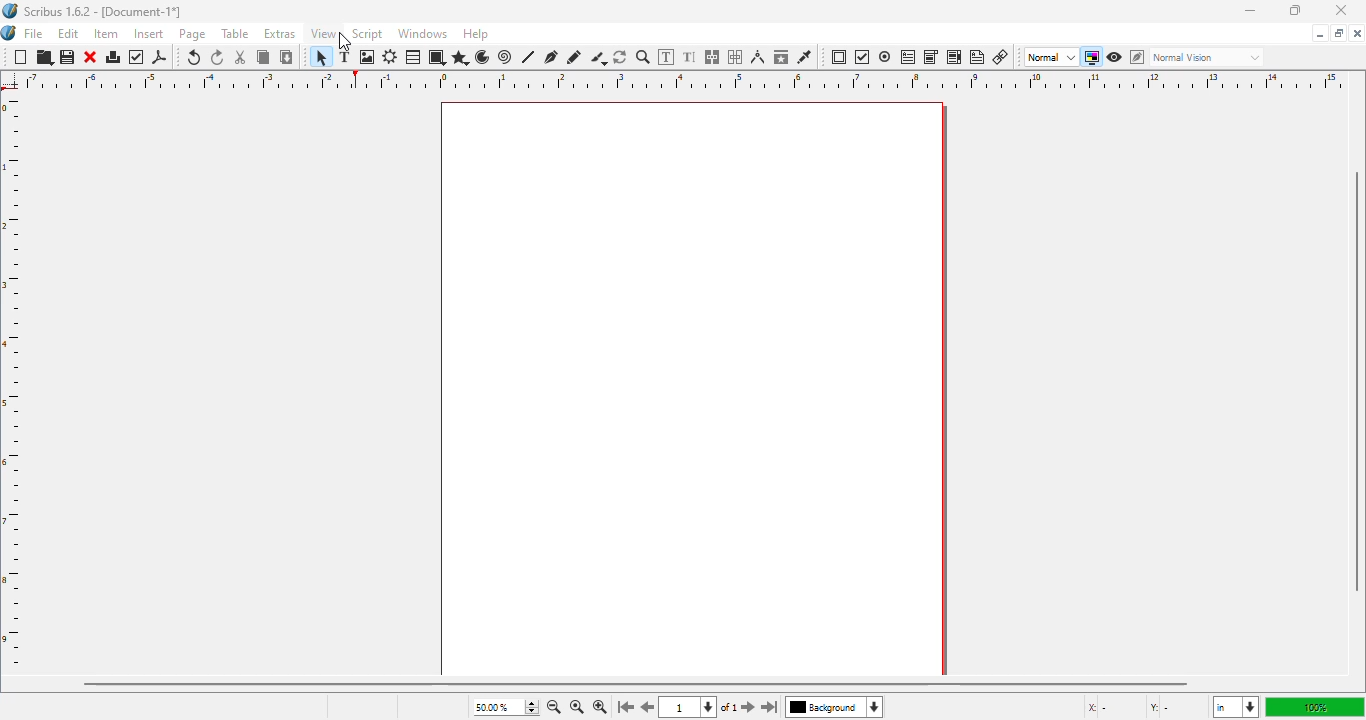  What do you see at coordinates (1131, 708) in the screenshot?
I see `X -        Y -` at bounding box center [1131, 708].